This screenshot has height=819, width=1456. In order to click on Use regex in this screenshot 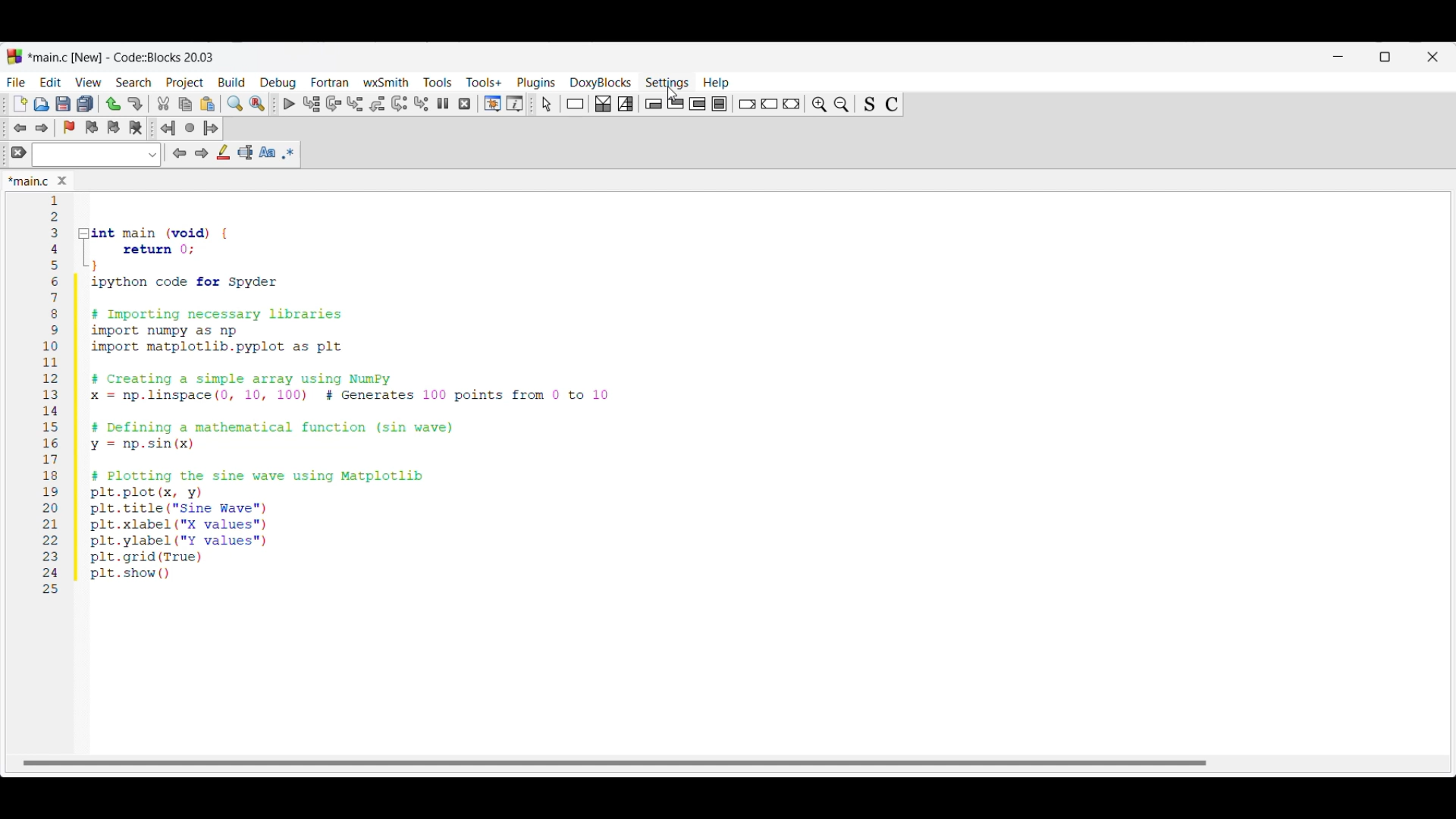, I will do `click(288, 153)`.